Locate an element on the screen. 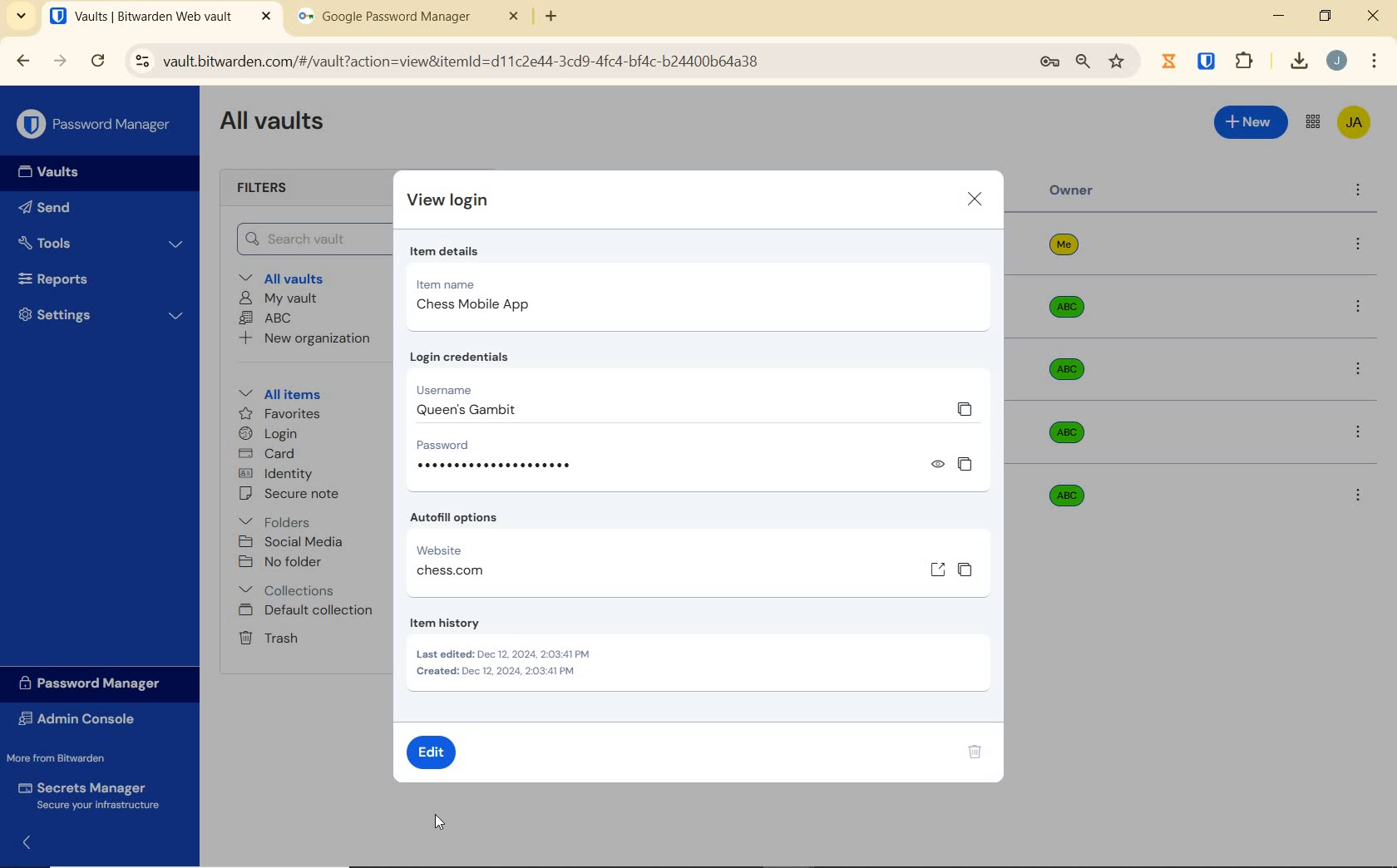  chess mobile app is located at coordinates (468, 306).